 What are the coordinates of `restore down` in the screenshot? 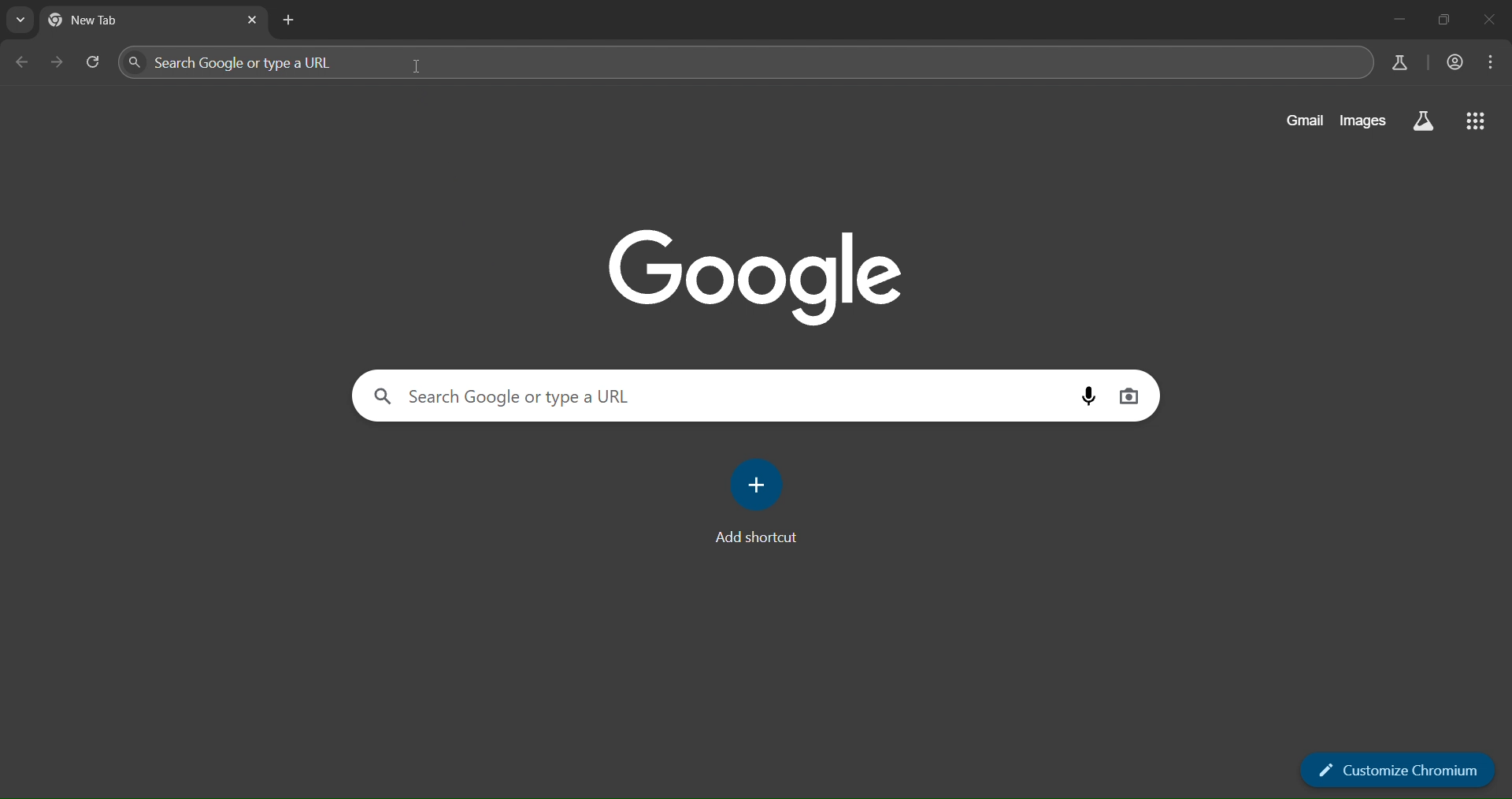 It's located at (1446, 21).